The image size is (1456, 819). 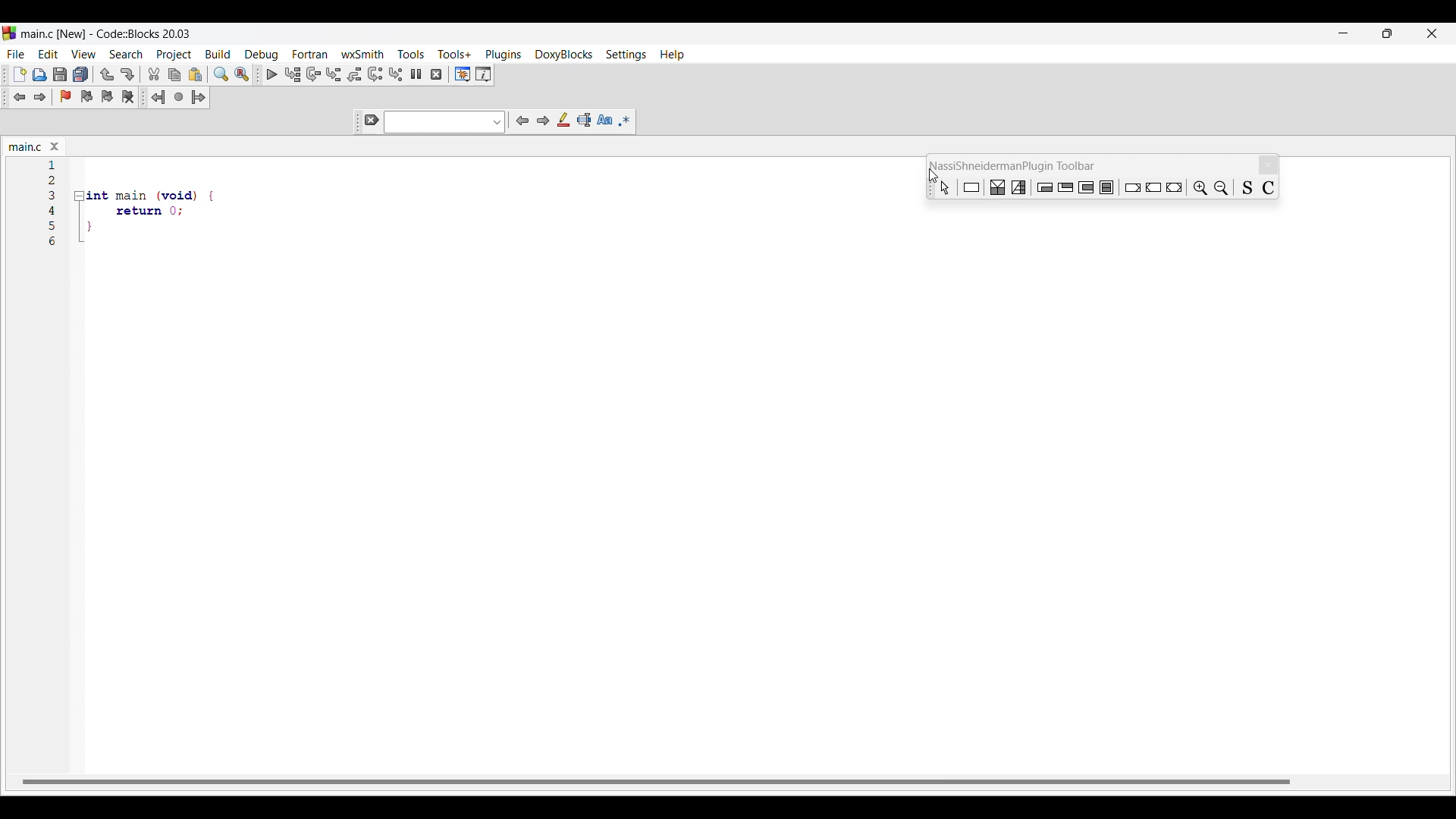 I want to click on Next, so click(x=543, y=121).